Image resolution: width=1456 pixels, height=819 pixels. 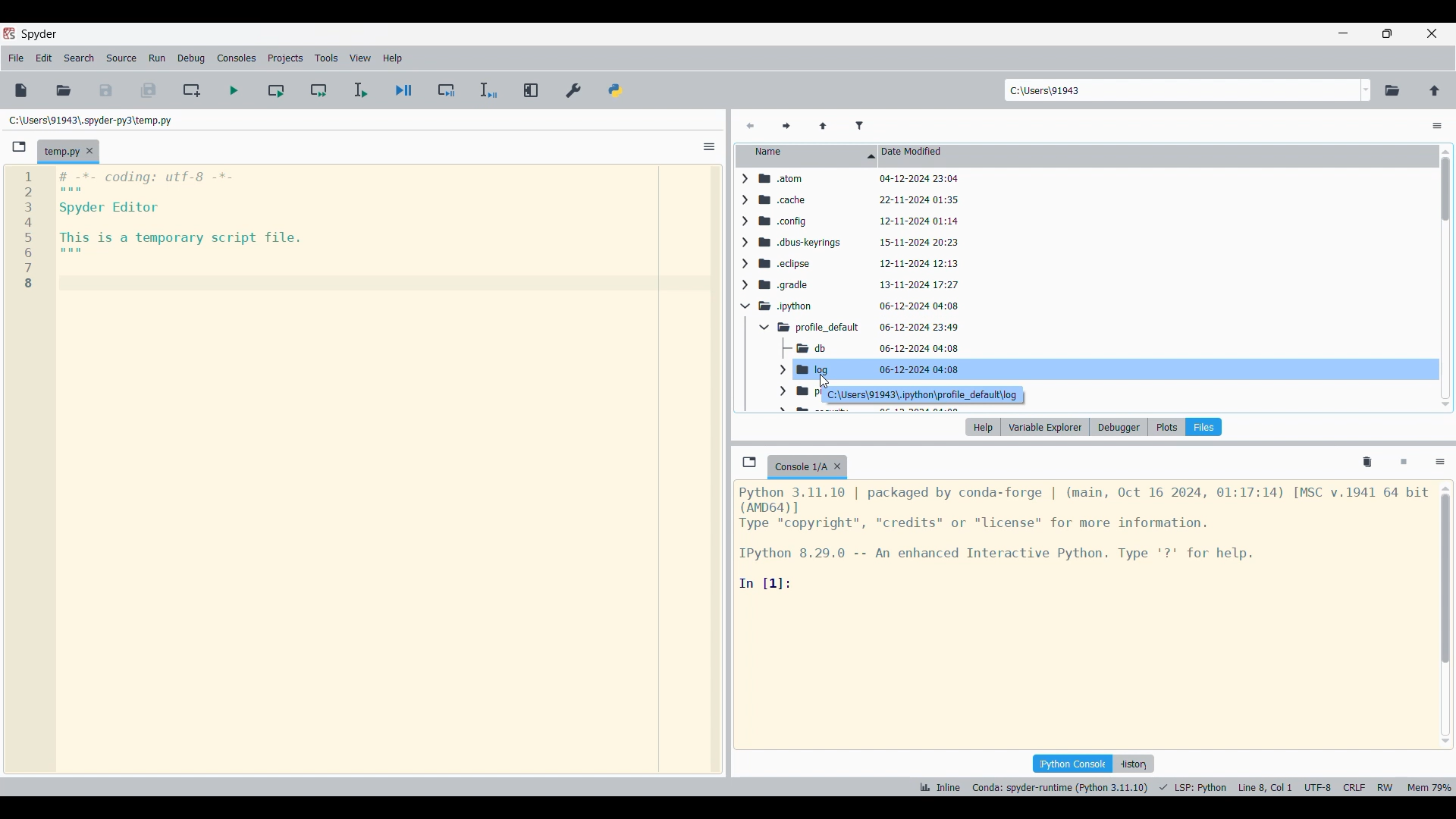 I want to click on Software name, so click(x=40, y=35).